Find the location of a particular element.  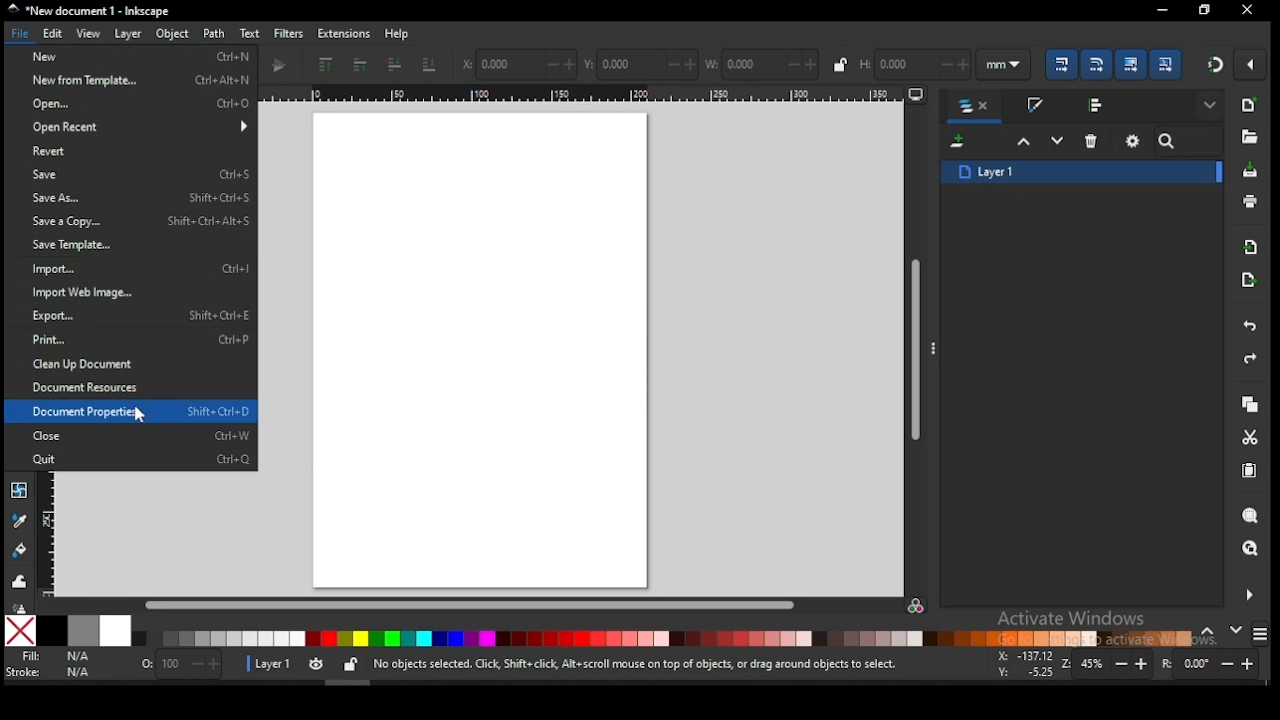

lock is located at coordinates (840, 64).